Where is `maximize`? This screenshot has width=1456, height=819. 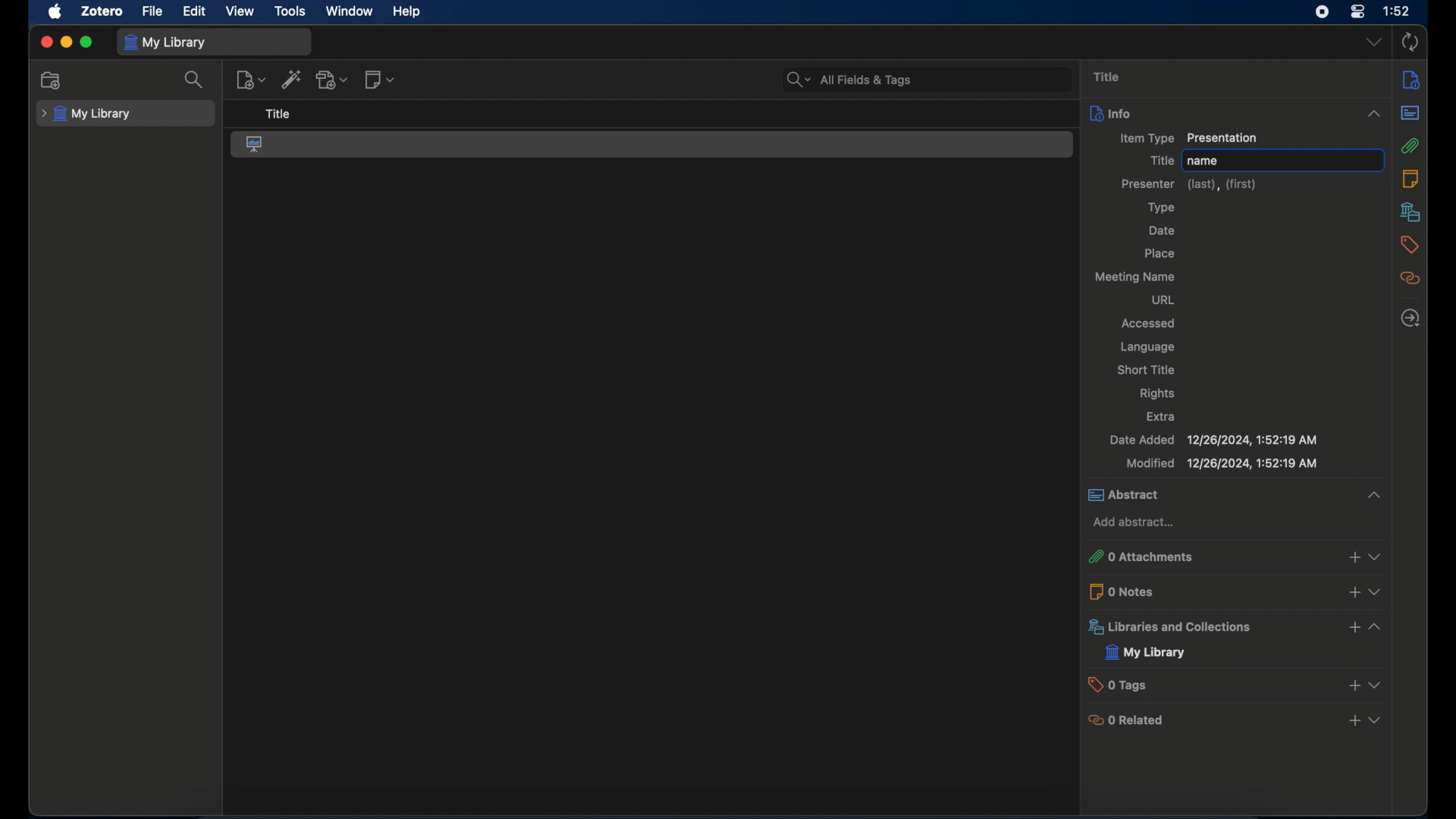
maximize is located at coordinates (86, 42).